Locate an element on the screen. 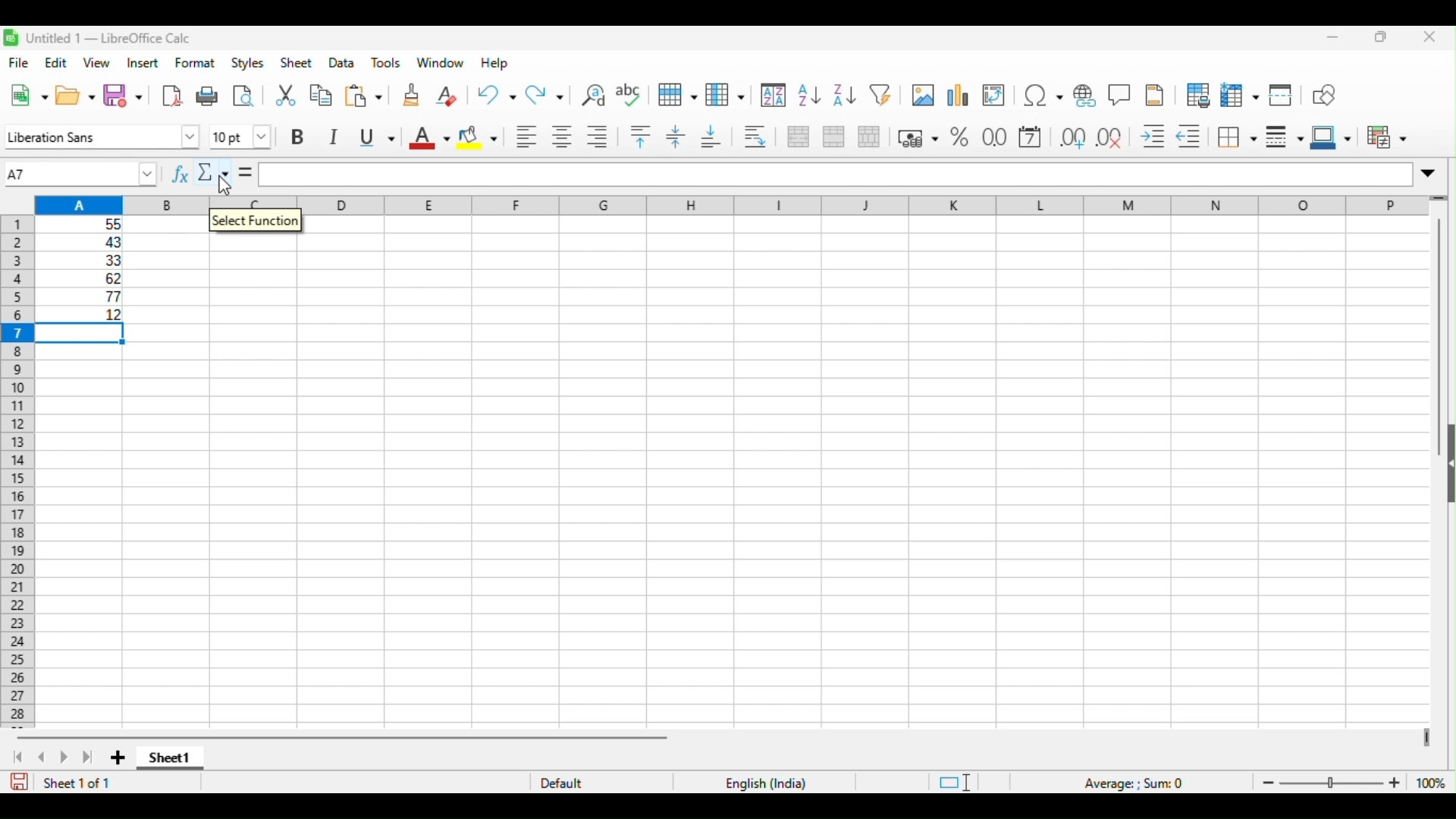  file is located at coordinates (21, 64).